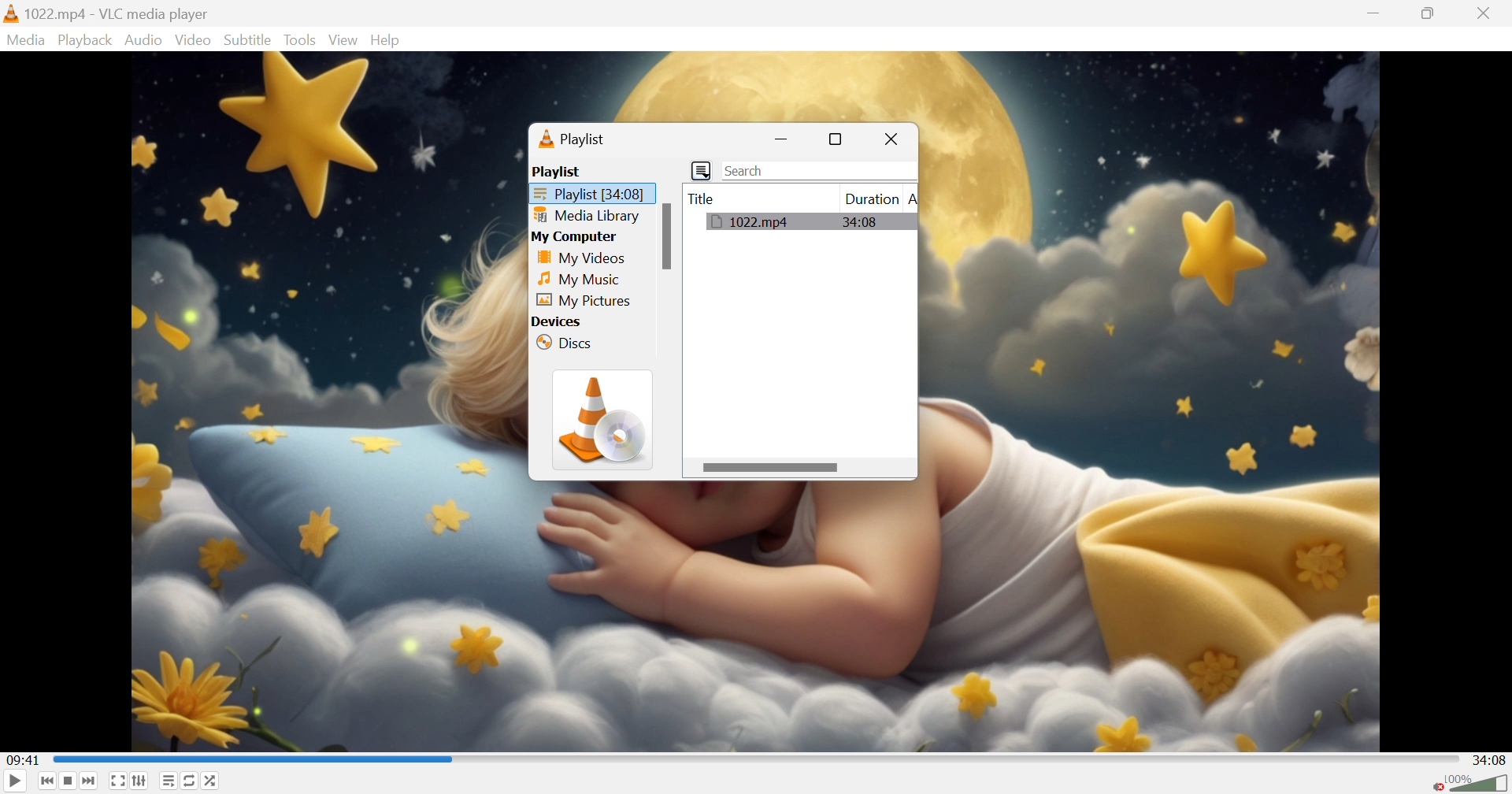 This screenshot has width=1512, height=794. Describe the element at coordinates (770, 468) in the screenshot. I see `Scroll bar` at that location.